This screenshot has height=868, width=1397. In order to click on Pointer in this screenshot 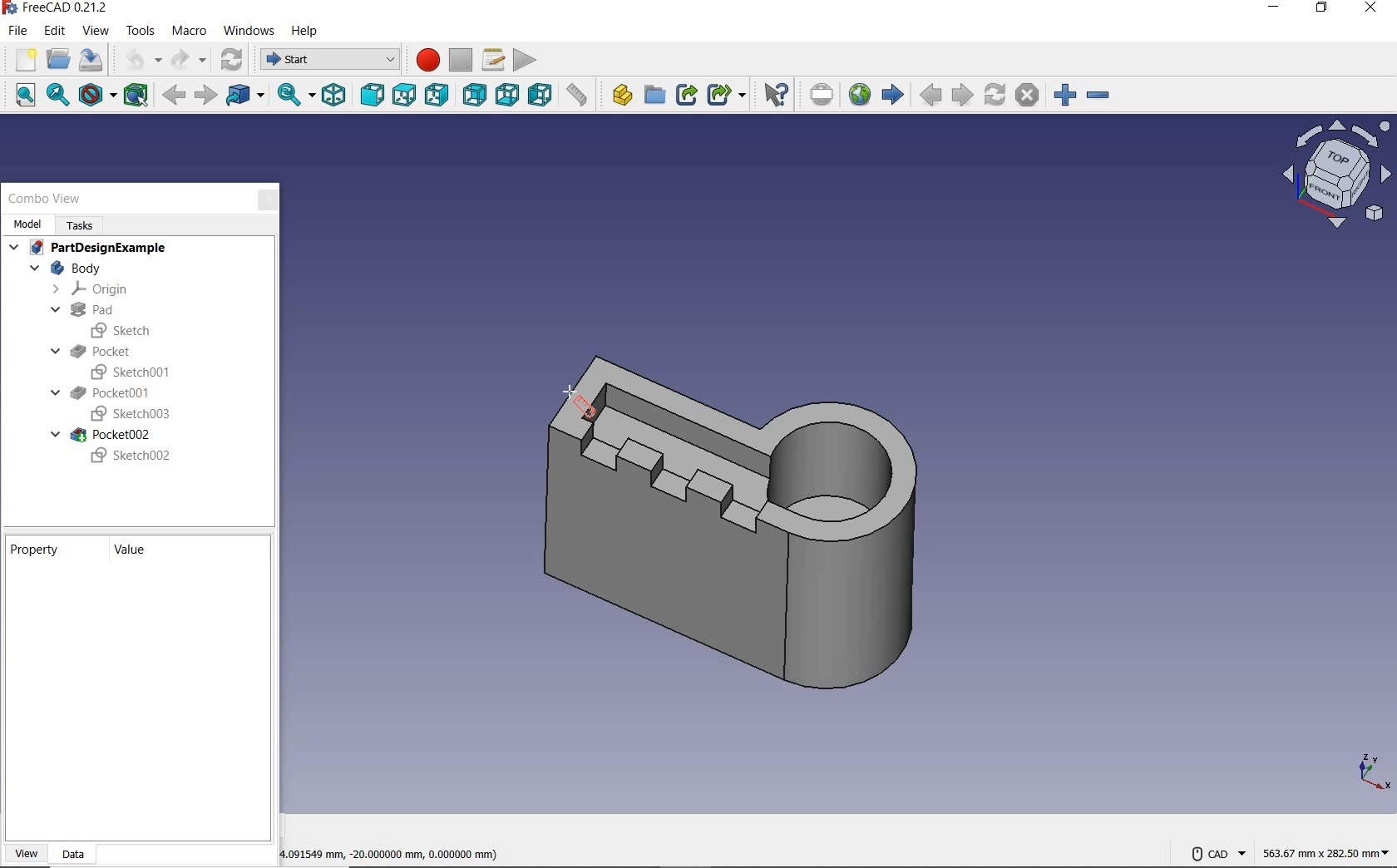, I will do `click(569, 389)`.